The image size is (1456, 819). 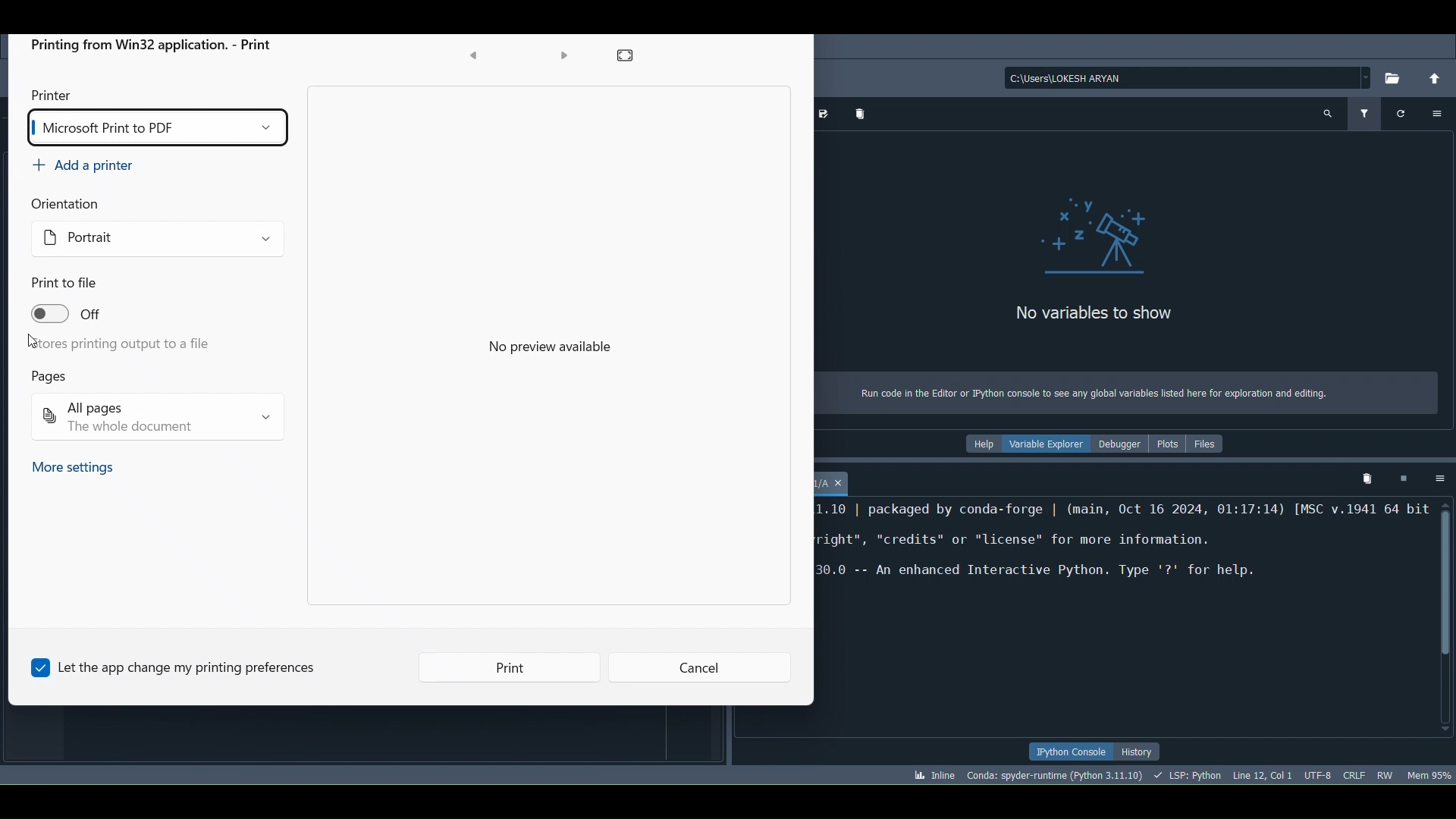 What do you see at coordinates (1441, 112) in the screenshot?
I see `Options` at bounding box center [1441, 112].